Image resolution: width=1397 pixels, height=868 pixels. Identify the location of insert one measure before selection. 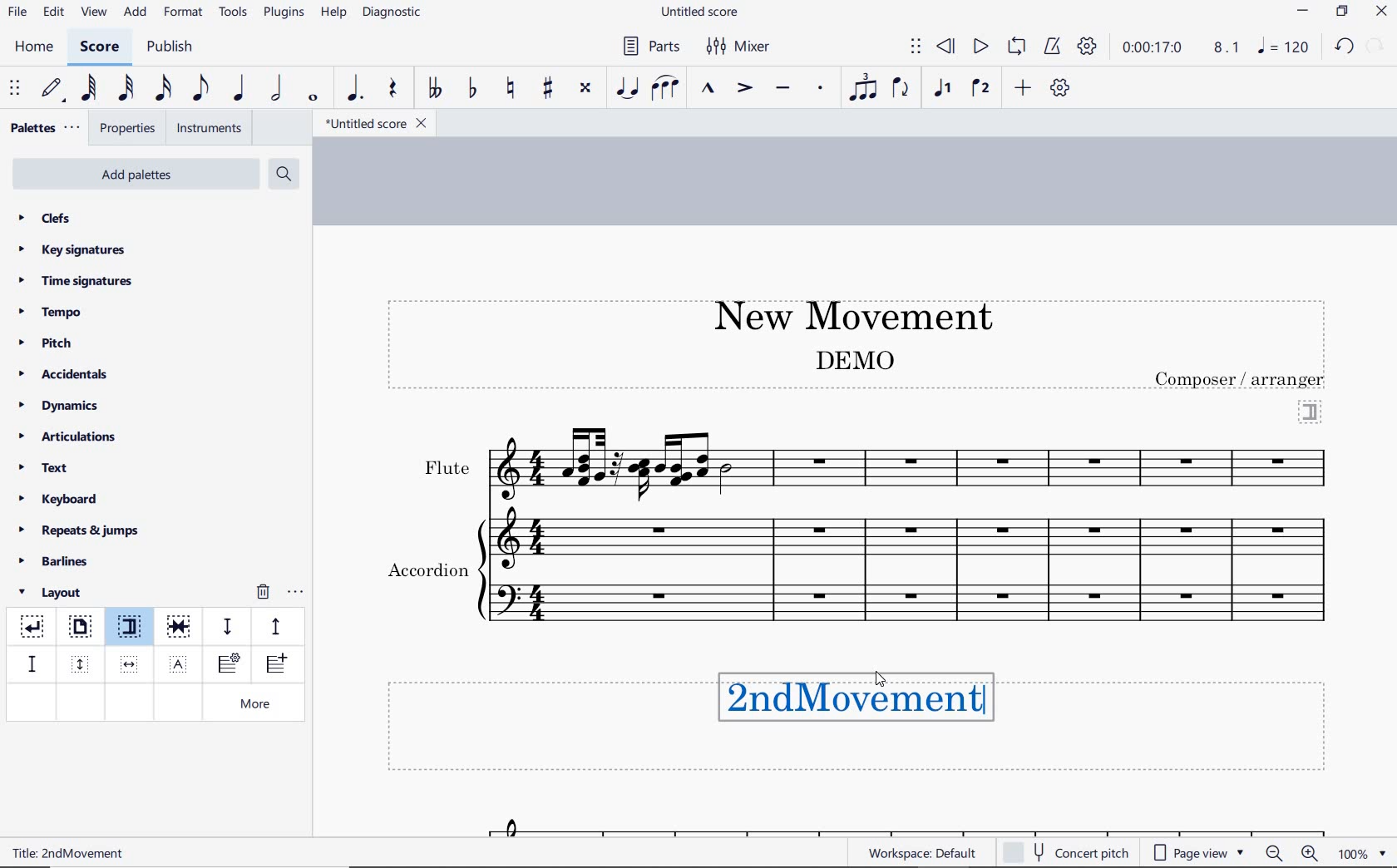
(274, 666).